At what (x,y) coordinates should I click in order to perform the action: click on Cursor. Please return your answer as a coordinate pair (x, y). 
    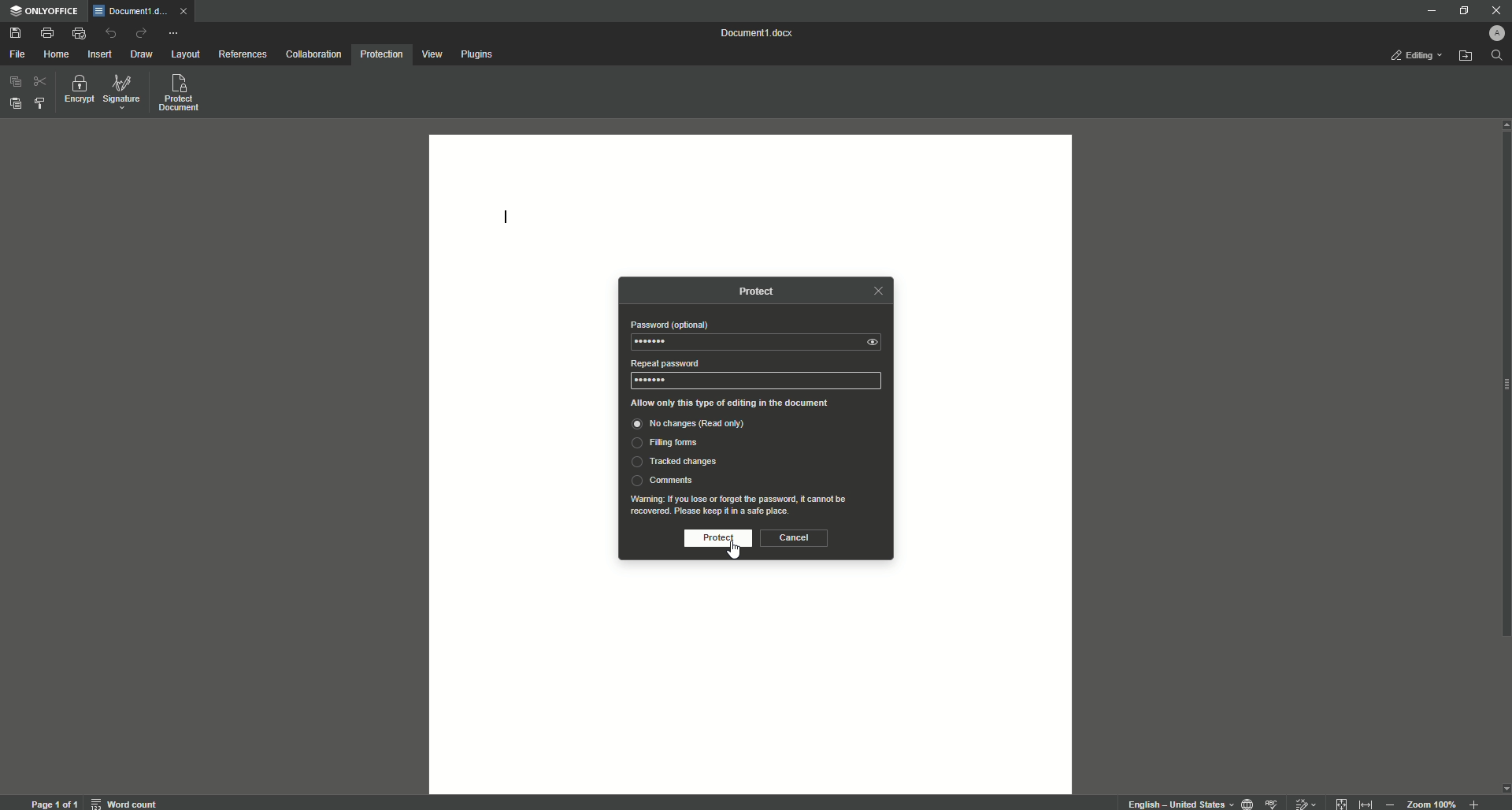
    Looking at the image, I should click on (733, 548).